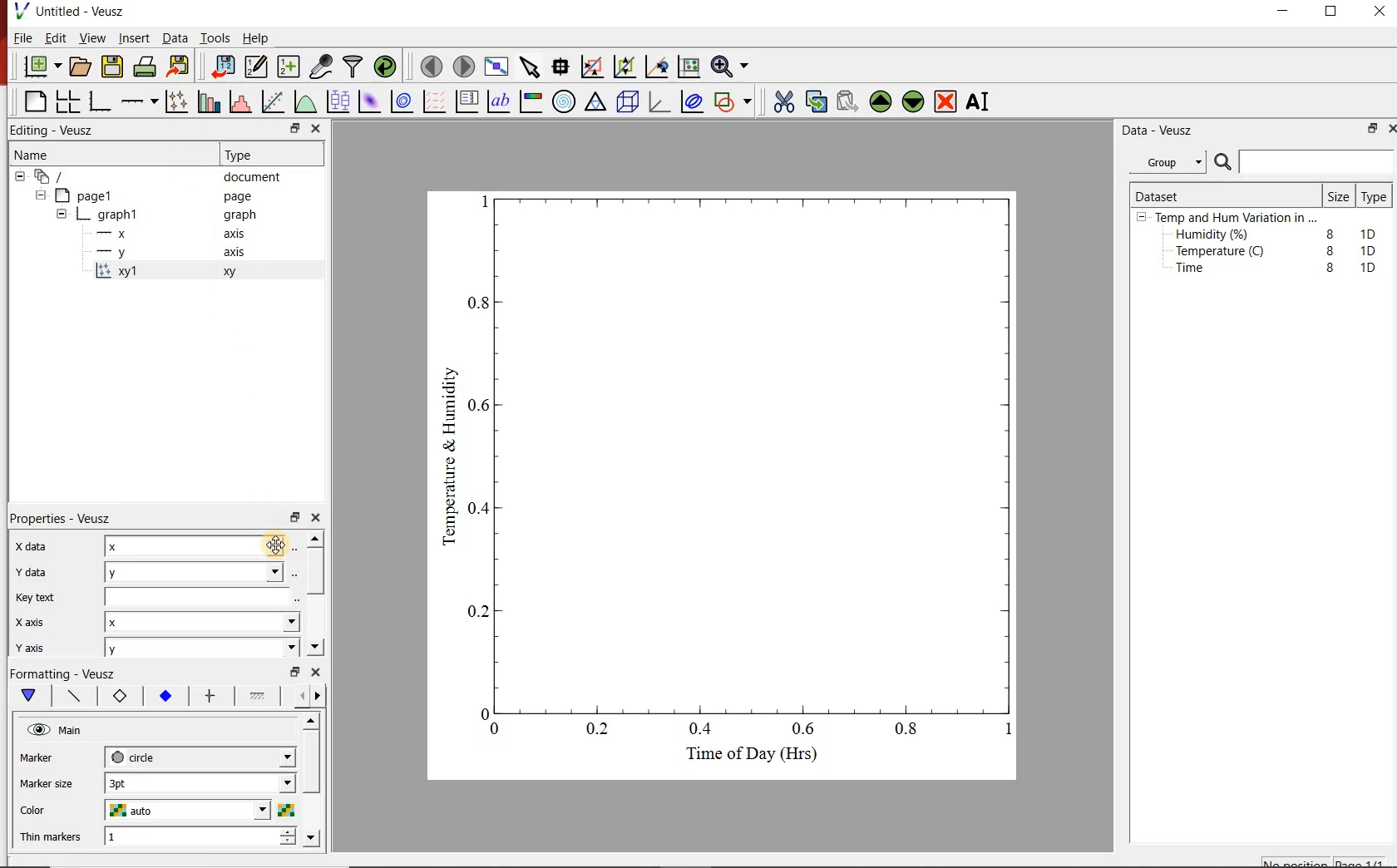  I want to click on click to reset graph axes, so click(686, 67).